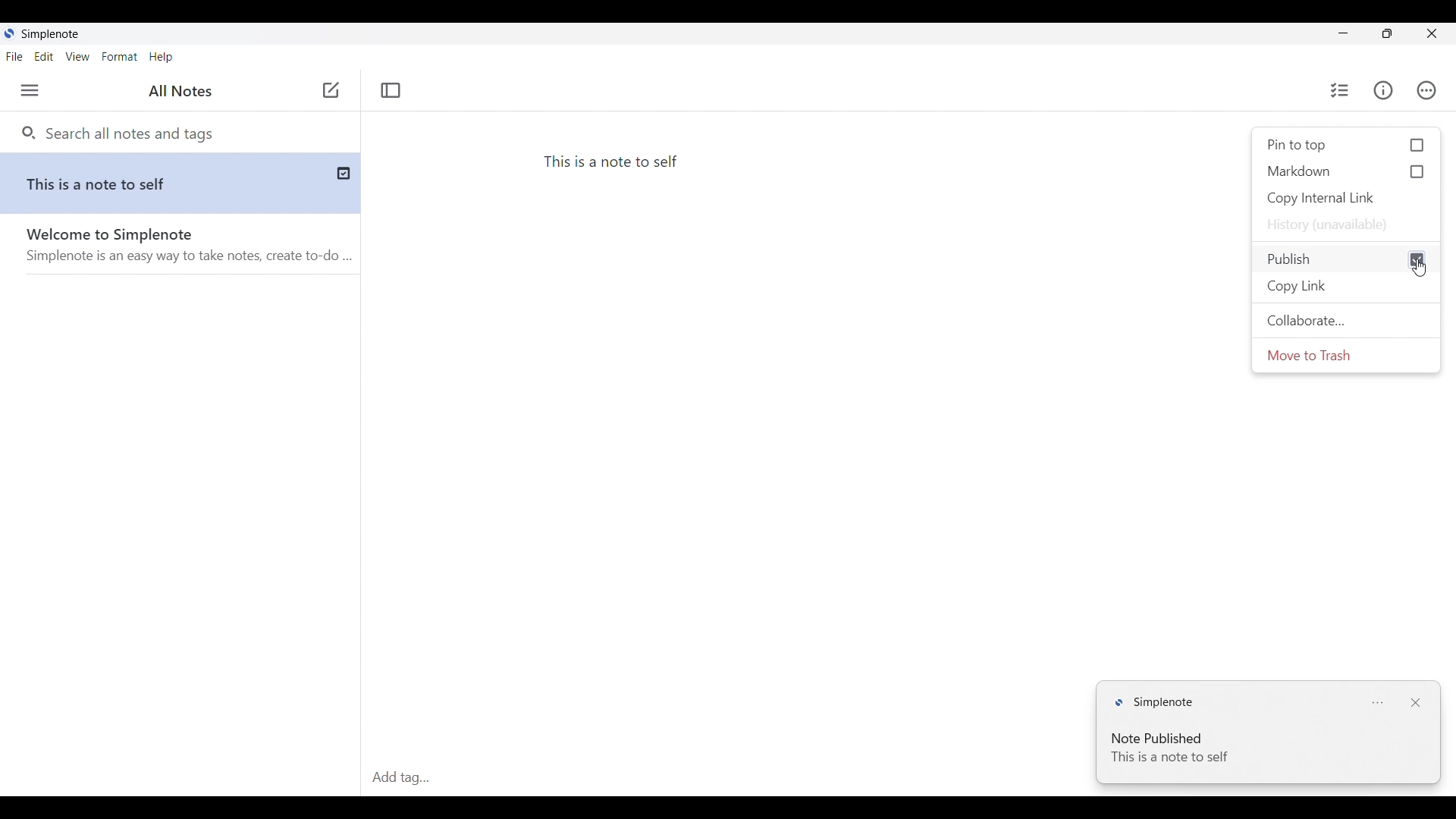  Describe the element at coordinates (163, 180) in the screenshot. I see `This is a note to self` at that location.